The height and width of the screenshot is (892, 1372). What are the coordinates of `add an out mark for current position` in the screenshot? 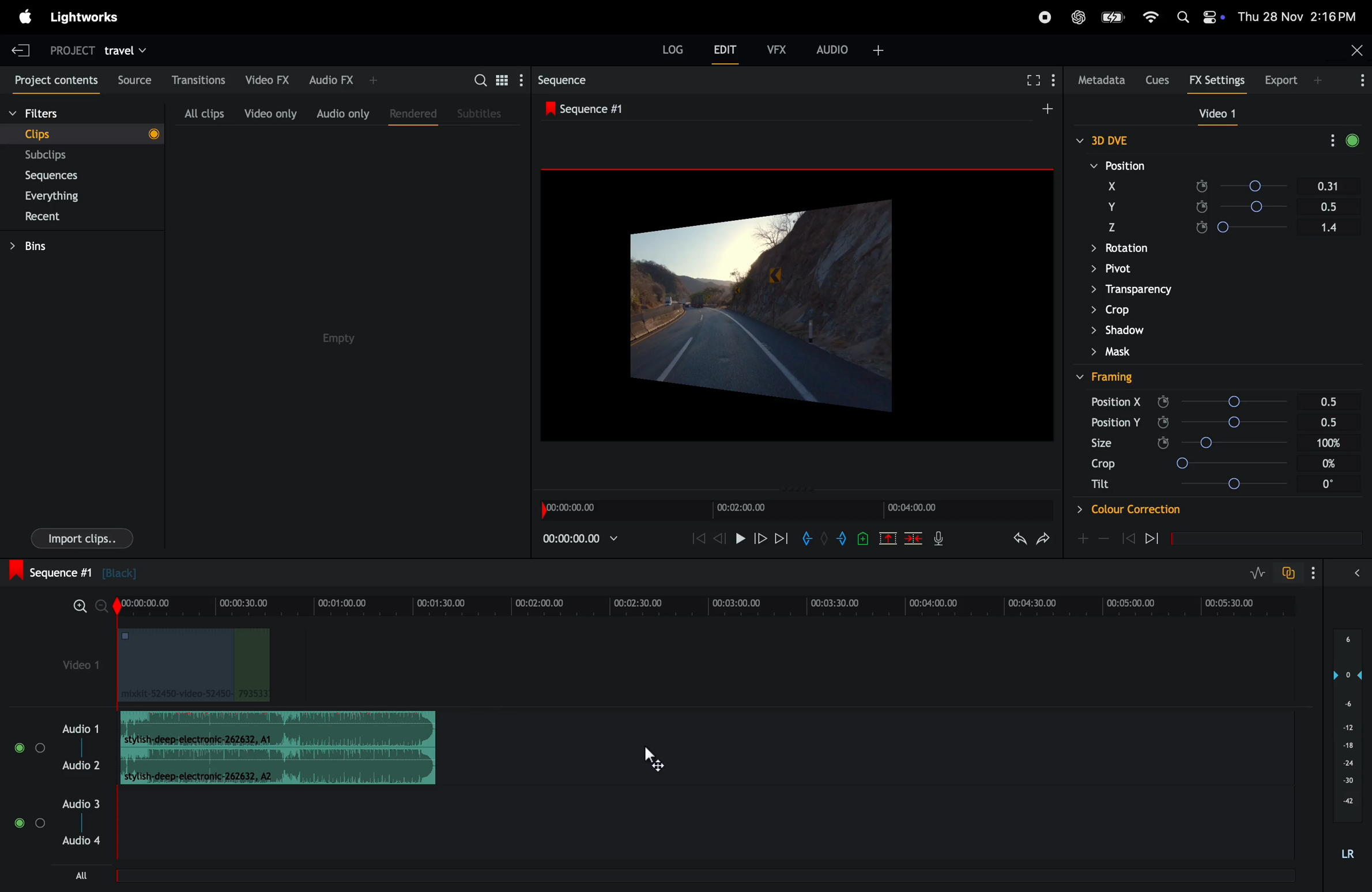 It's located at (844, 538).